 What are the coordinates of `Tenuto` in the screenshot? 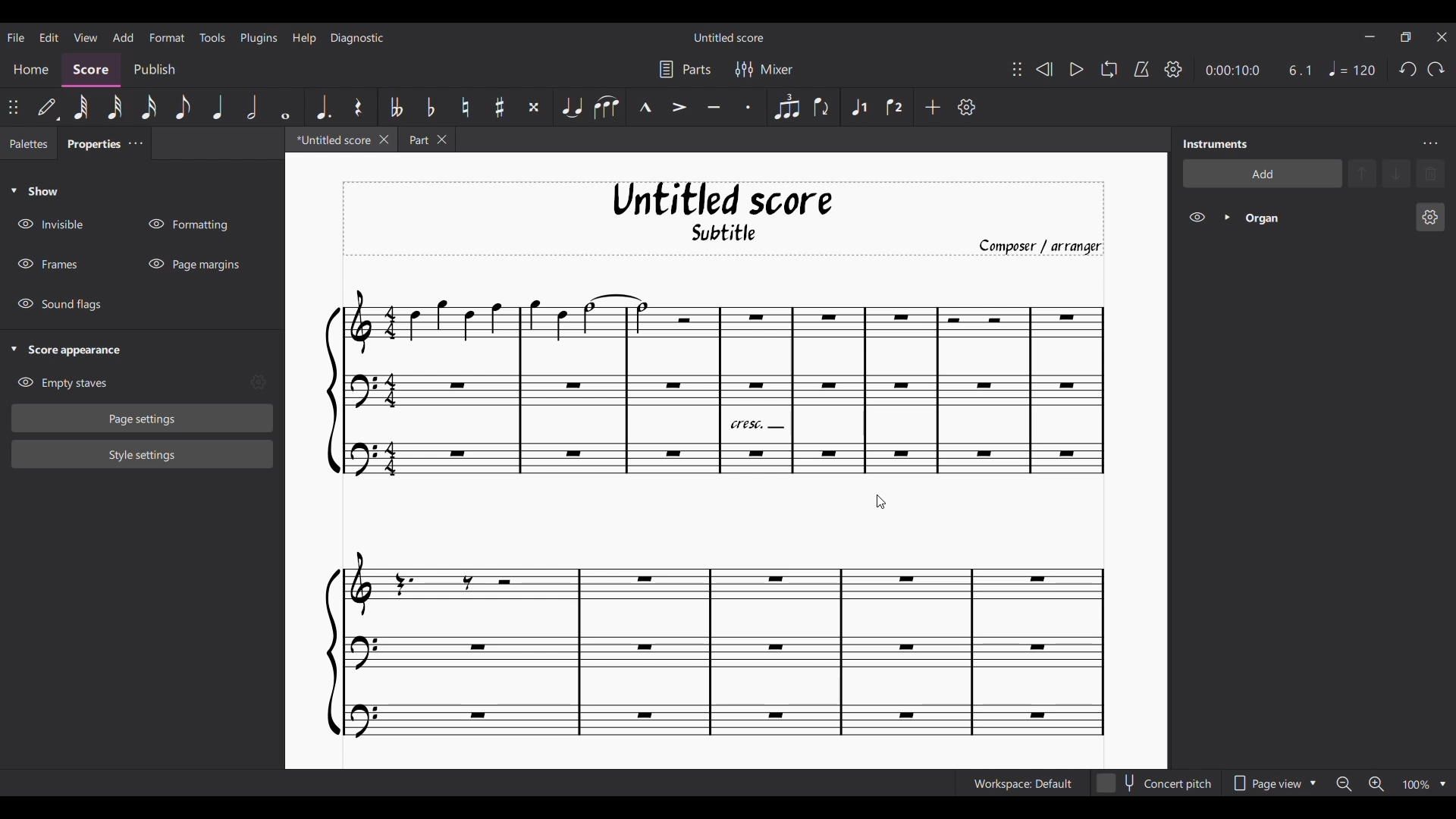 It's located at (715, 107).